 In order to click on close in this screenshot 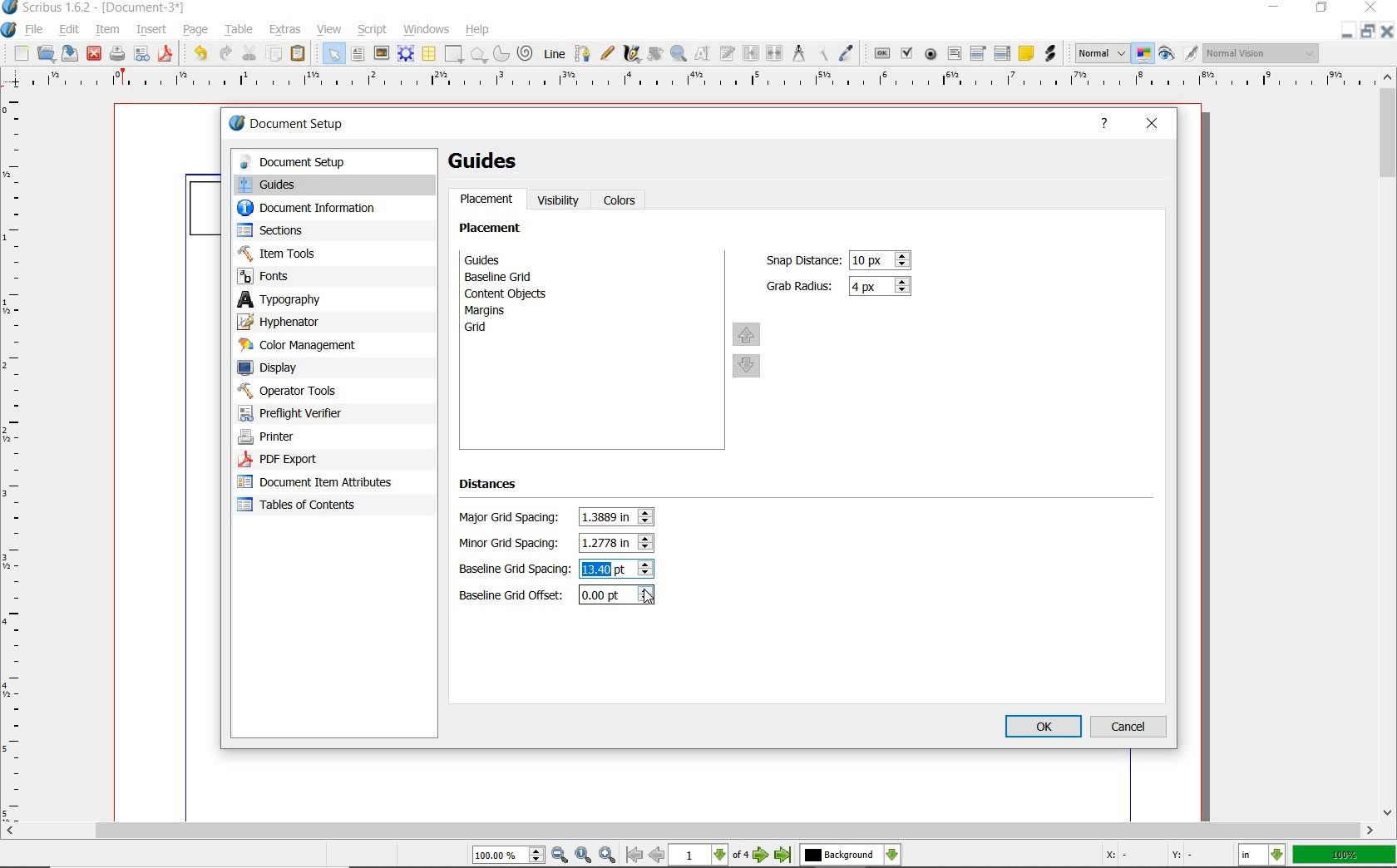, I will do `click(1153, 124)`.